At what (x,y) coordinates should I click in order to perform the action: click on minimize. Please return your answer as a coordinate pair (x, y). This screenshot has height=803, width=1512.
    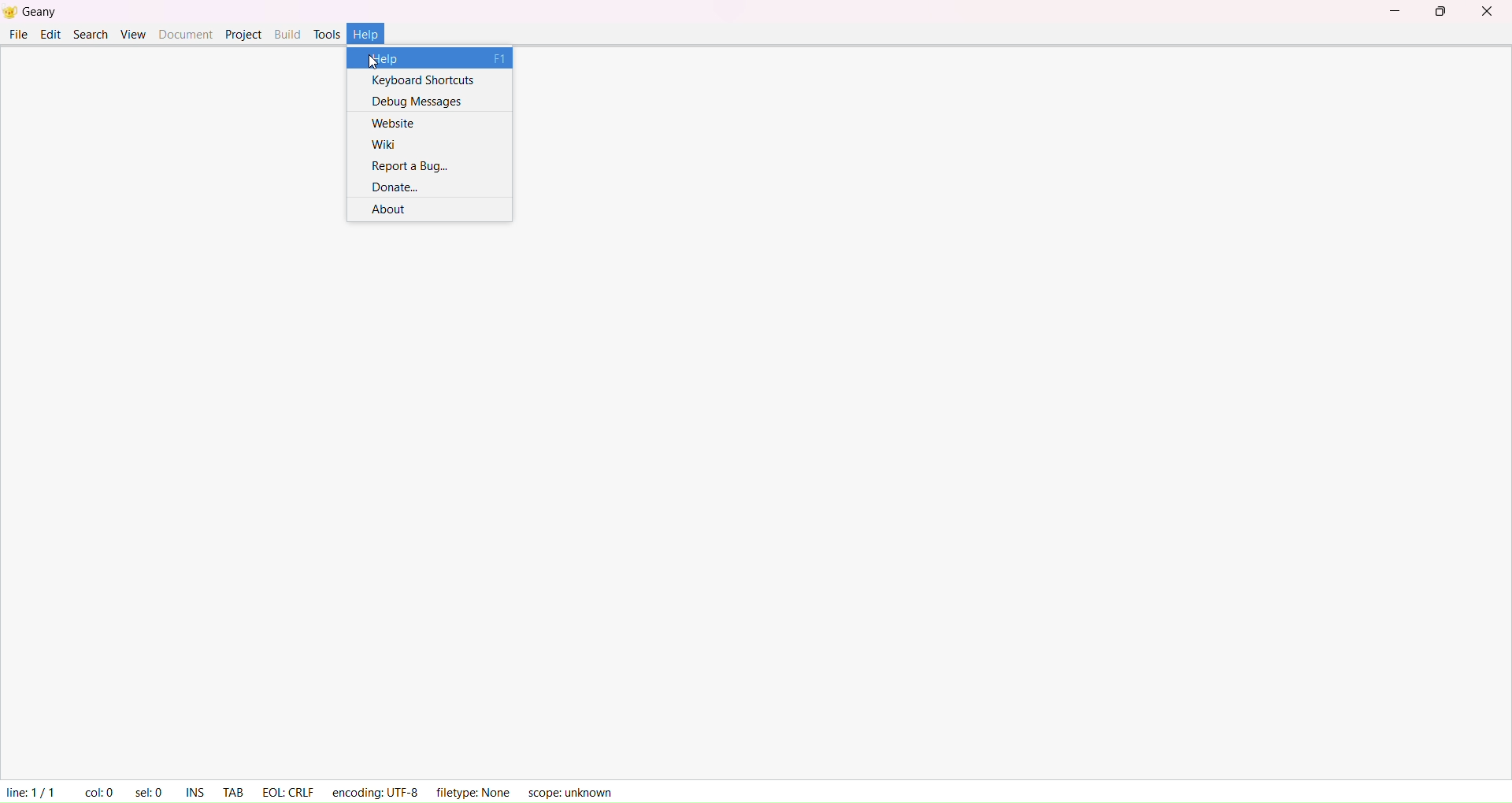
    Looking at the image, I should click on (1394, 11).